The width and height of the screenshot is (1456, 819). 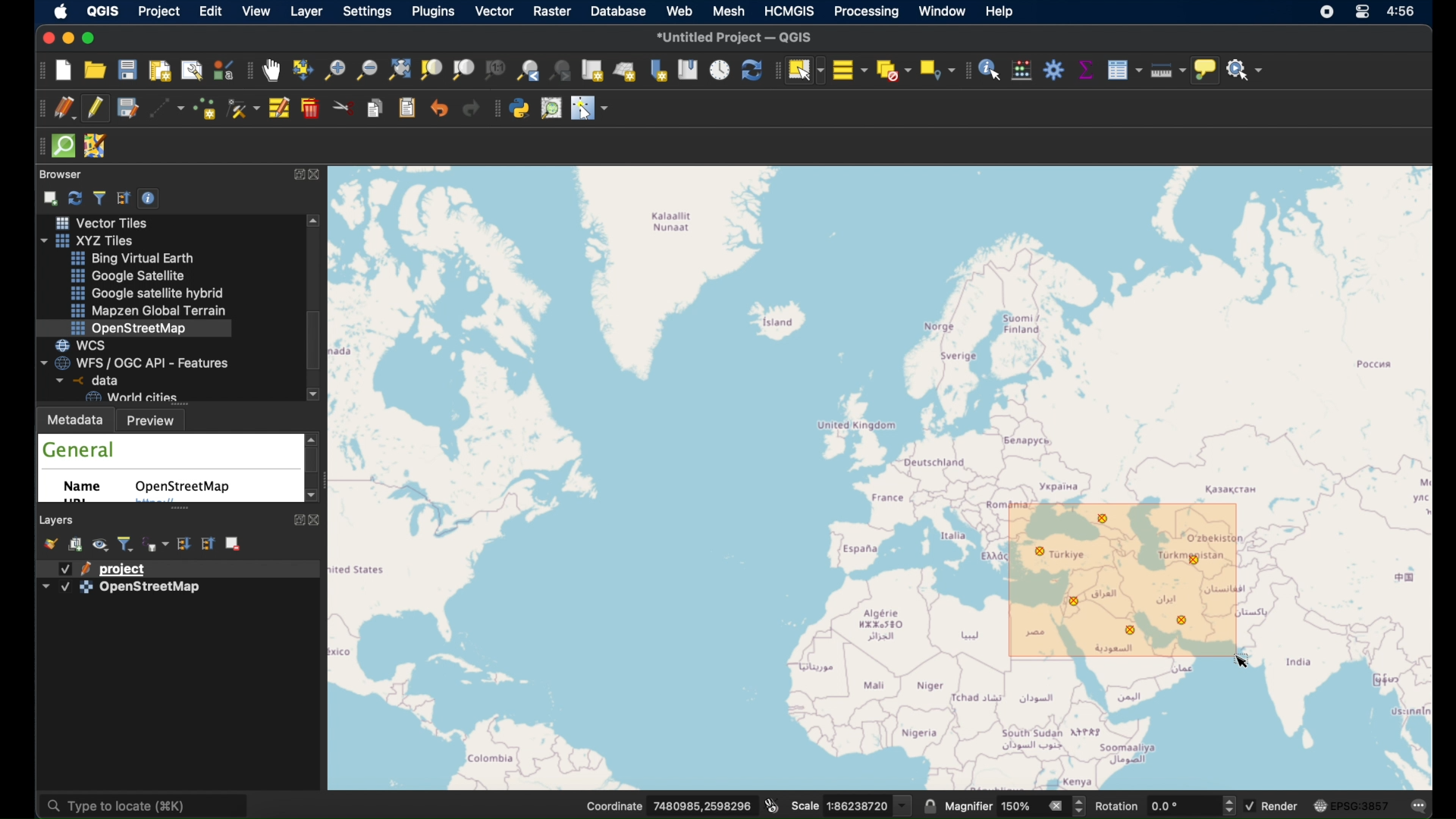 I want to click on wcs, so click(x=88, y=344).